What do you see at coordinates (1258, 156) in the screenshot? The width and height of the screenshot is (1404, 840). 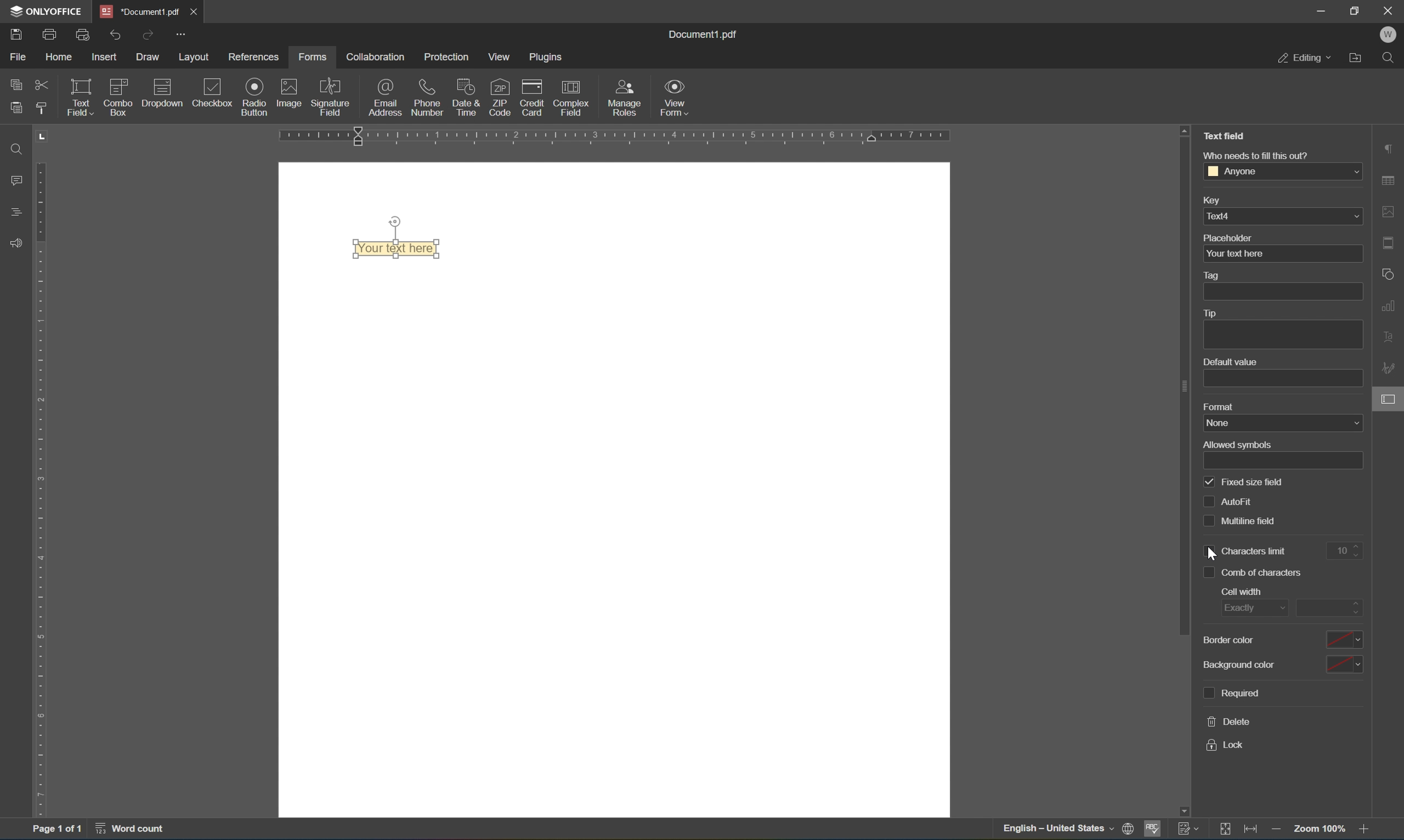 I see `who needs to fill this out?` at bounding box center [1258, 156].